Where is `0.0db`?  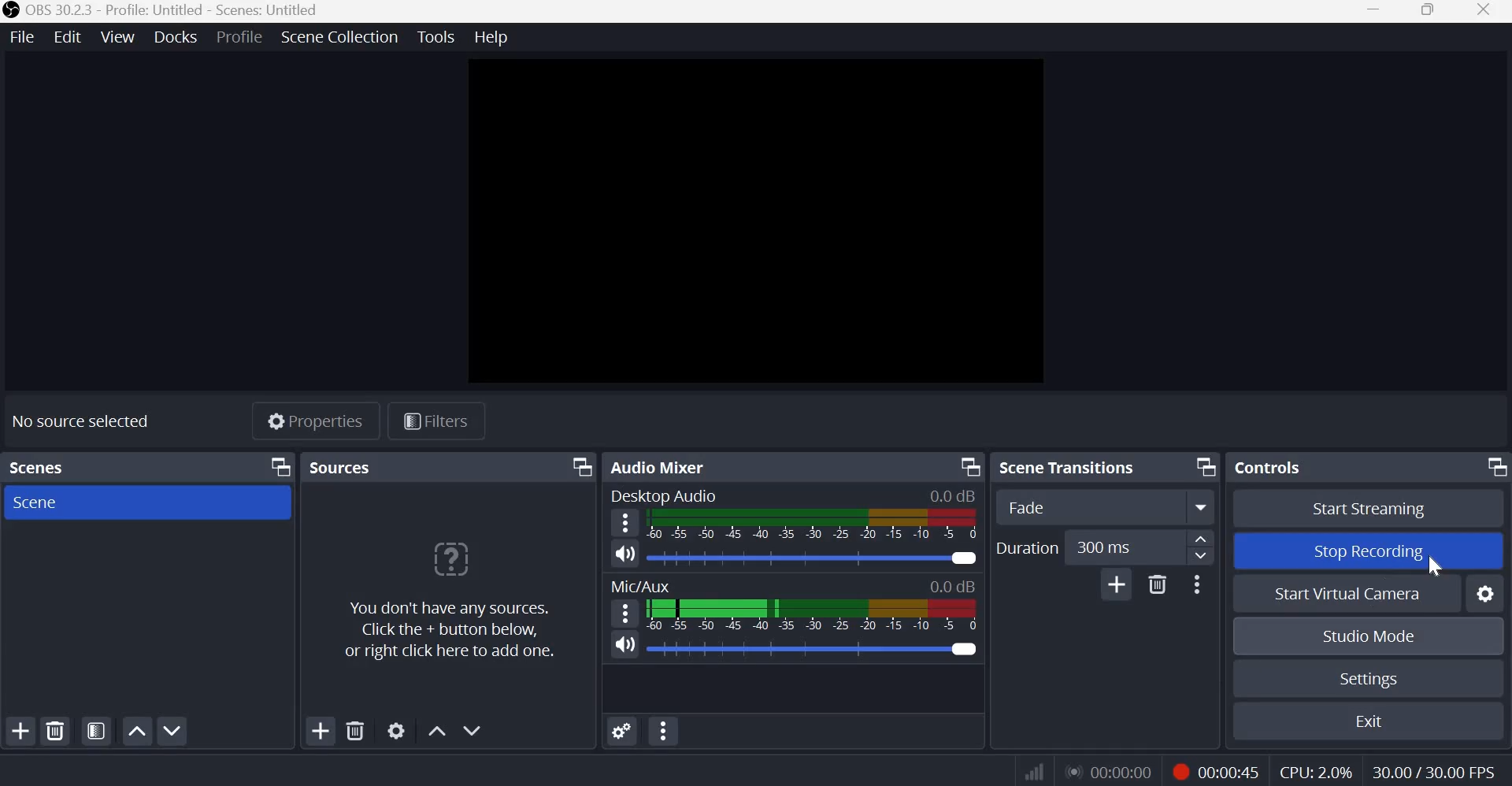
0.0db is located at coordinates (954, 495).